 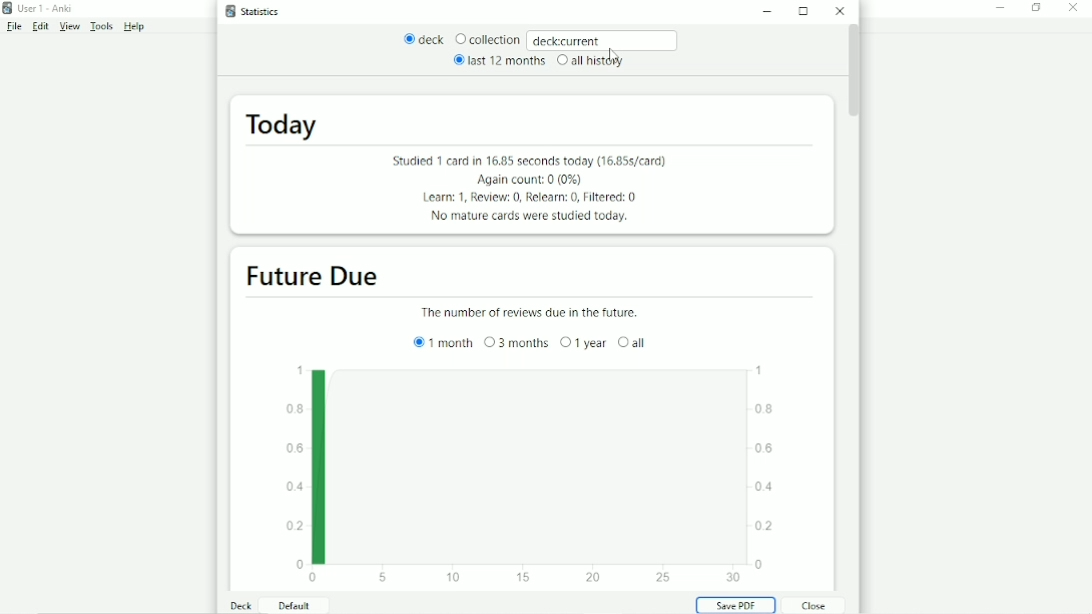 I want to click on deck:current, so click(x=608, y=39).